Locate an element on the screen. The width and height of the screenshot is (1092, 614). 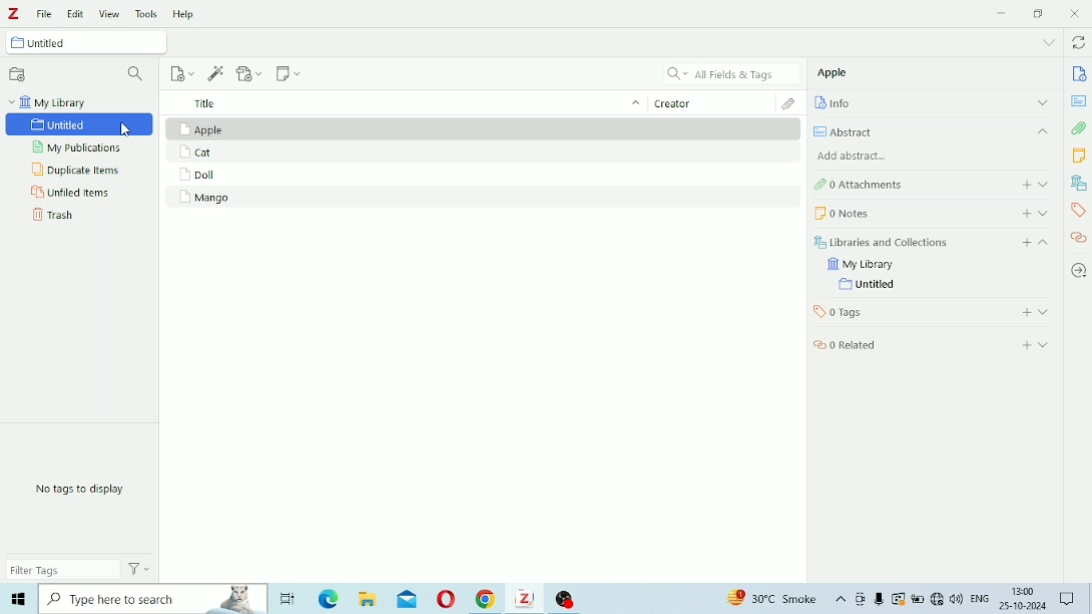
Add is located at coordinates (1027, 213).